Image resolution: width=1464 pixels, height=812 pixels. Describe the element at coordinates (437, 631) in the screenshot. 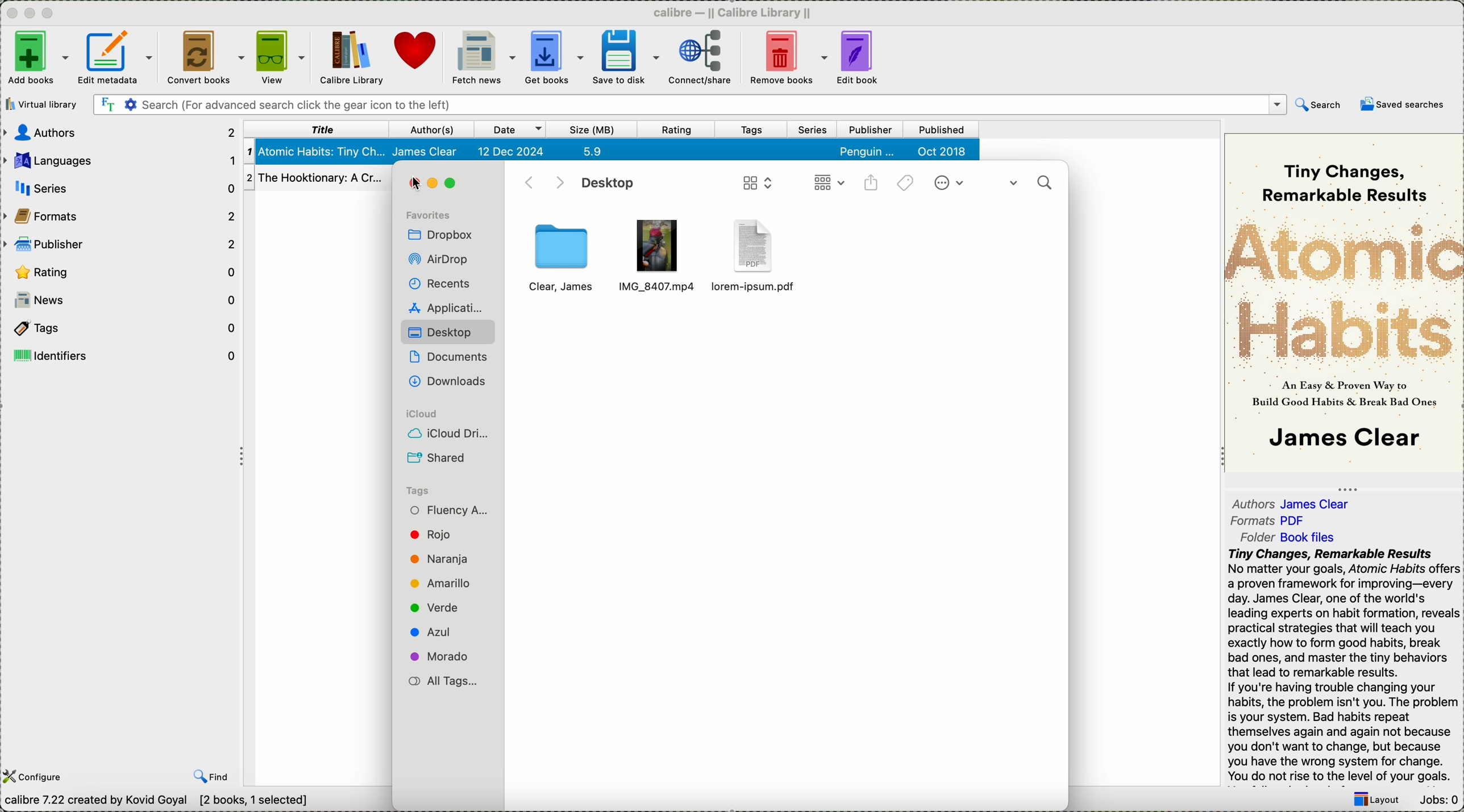

I see `tag` at that location.